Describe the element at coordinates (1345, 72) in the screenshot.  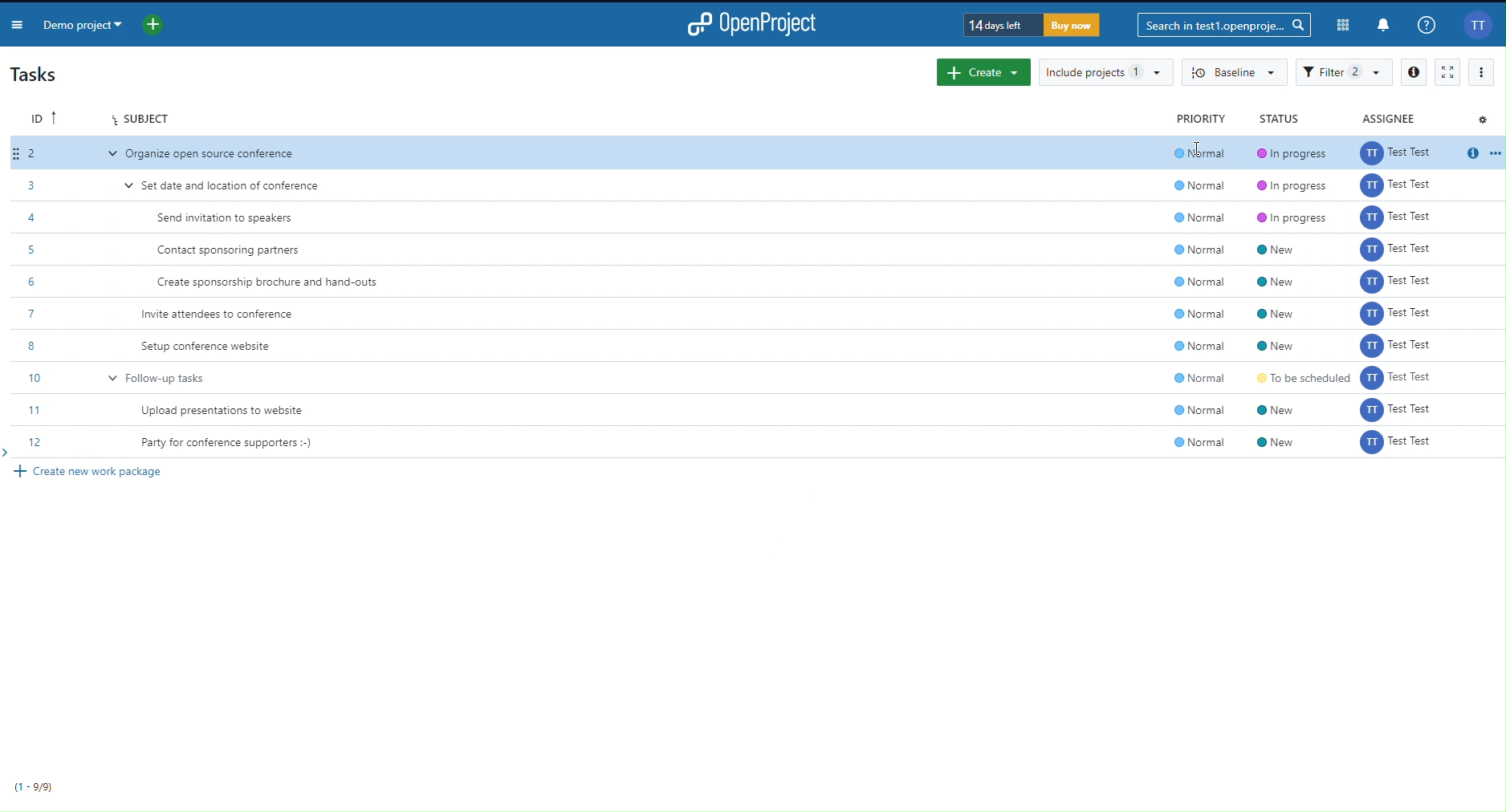
I see `Filter` at that location.